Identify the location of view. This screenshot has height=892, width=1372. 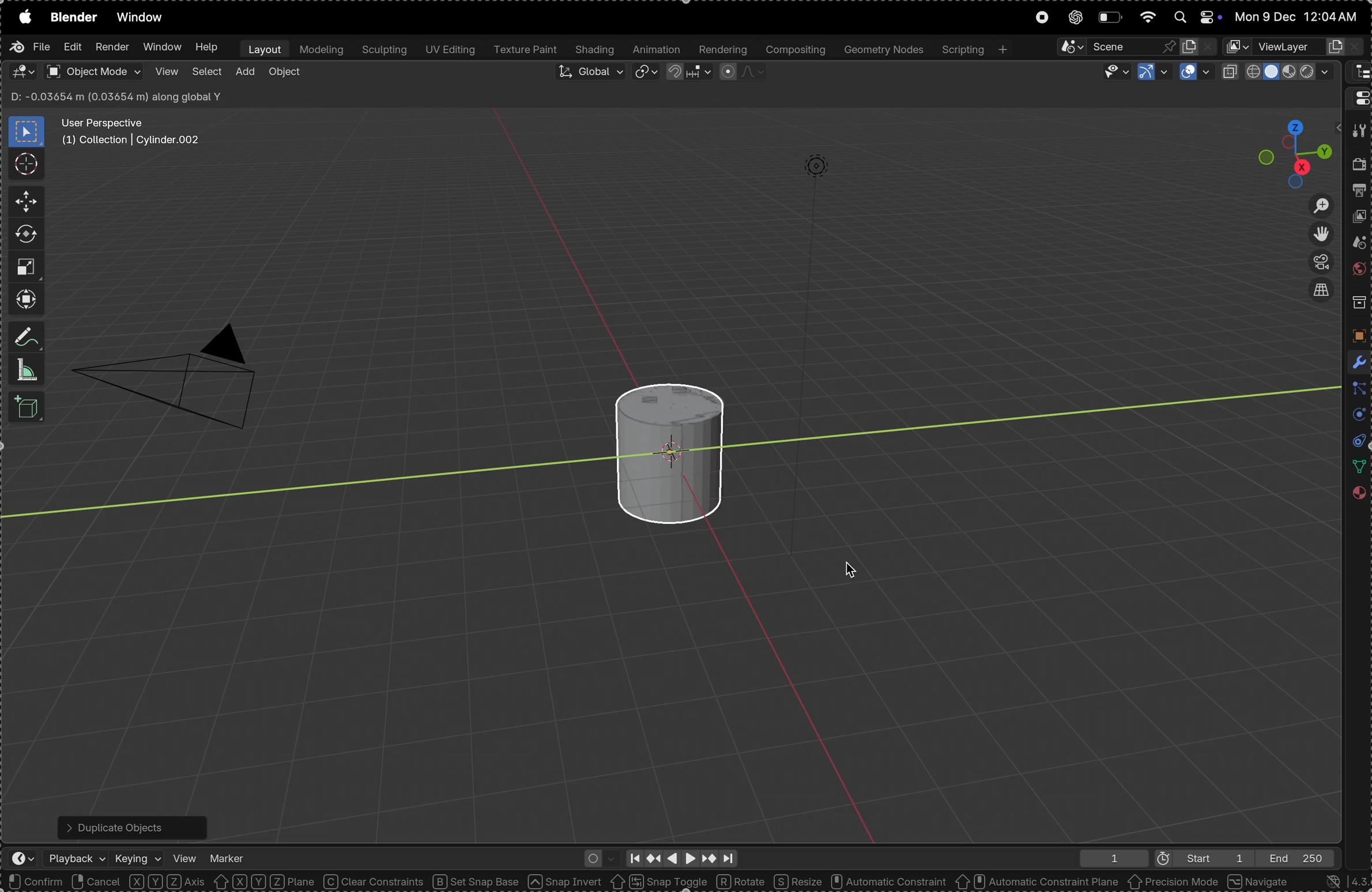
(184, 856).